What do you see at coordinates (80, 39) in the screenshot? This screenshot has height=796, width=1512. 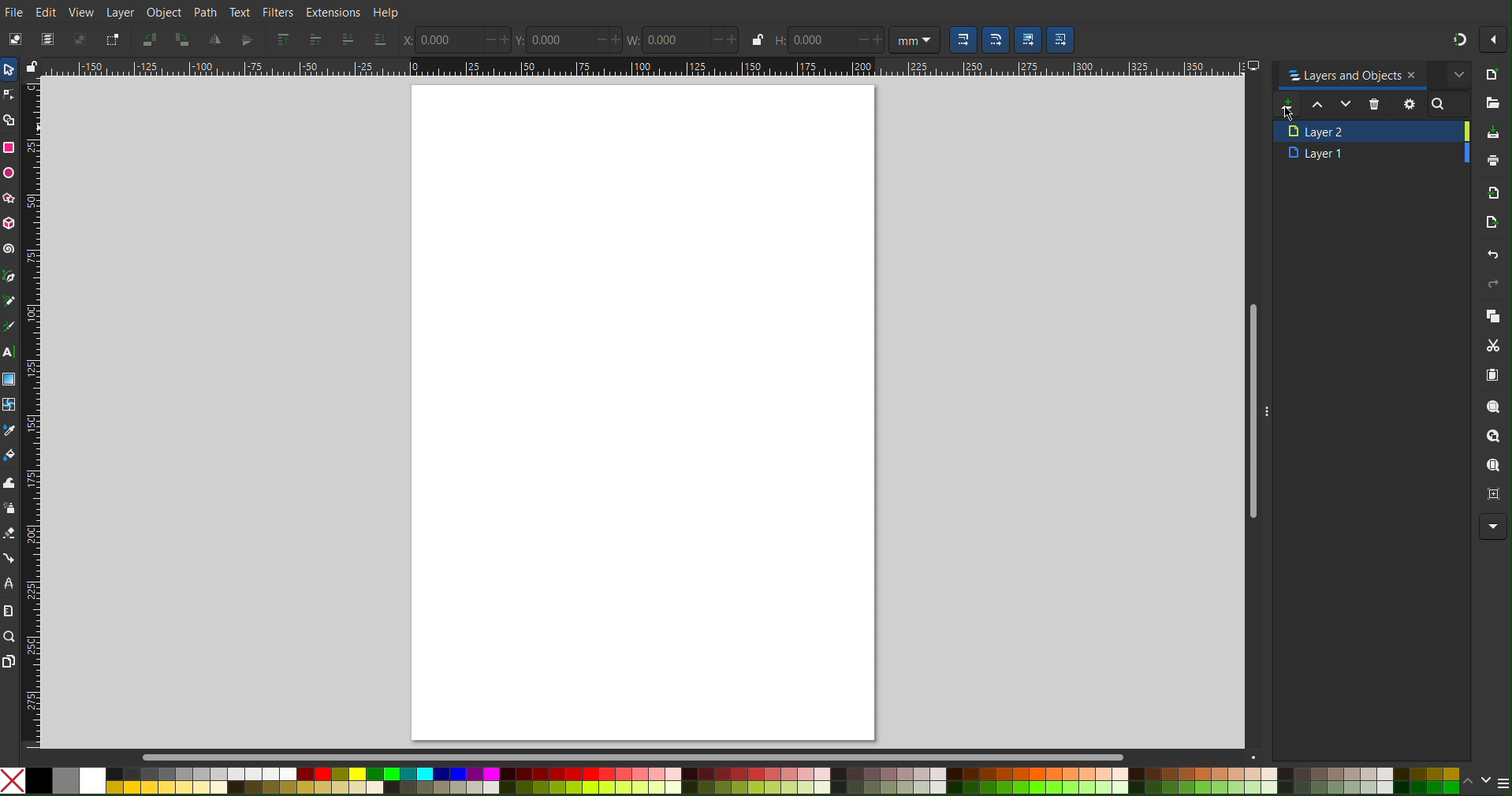 I see `Deselect Objects` at bounding box center [80, 39].